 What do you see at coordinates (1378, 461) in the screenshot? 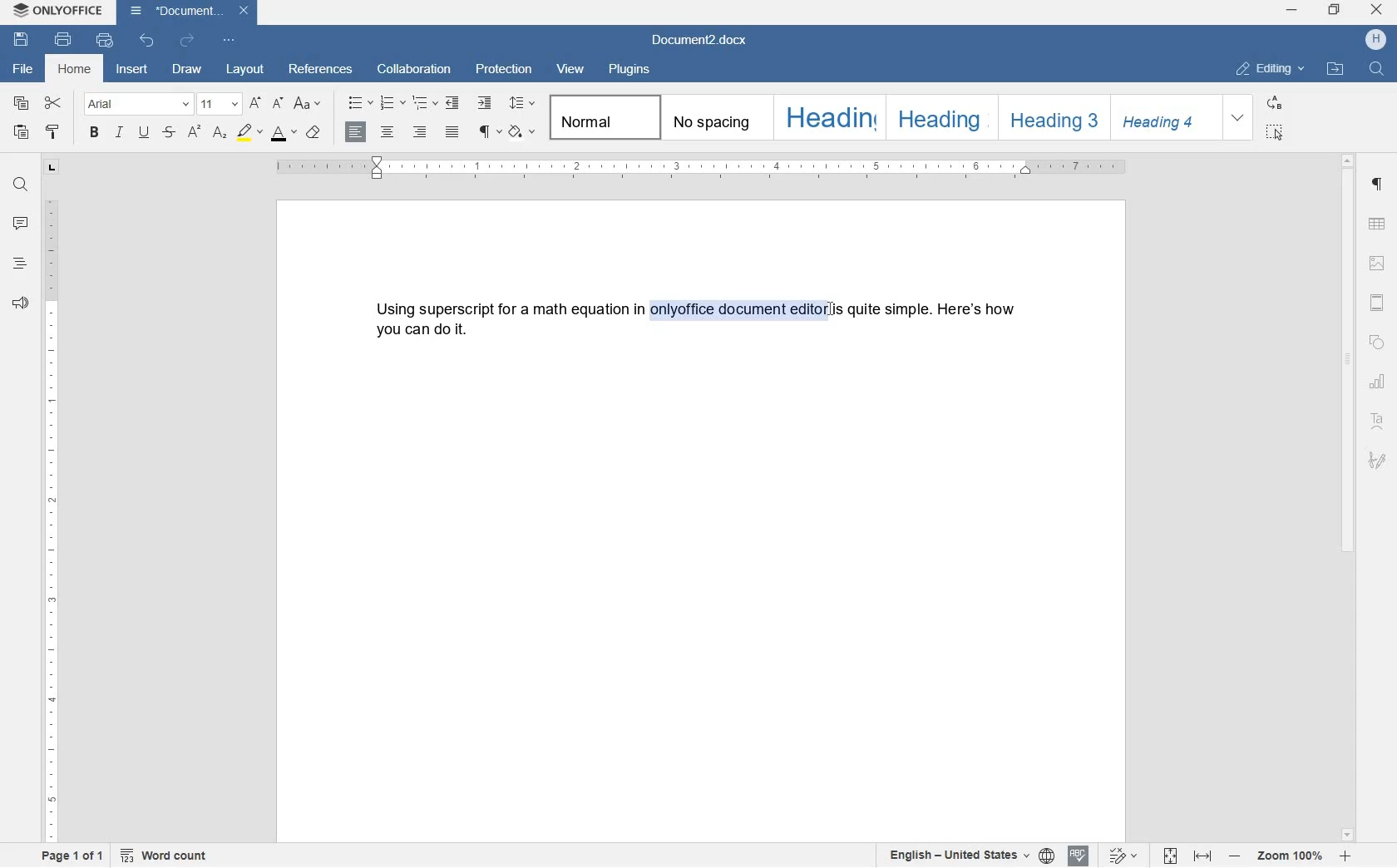
I see `signature` at bounding box center [1378, 461].